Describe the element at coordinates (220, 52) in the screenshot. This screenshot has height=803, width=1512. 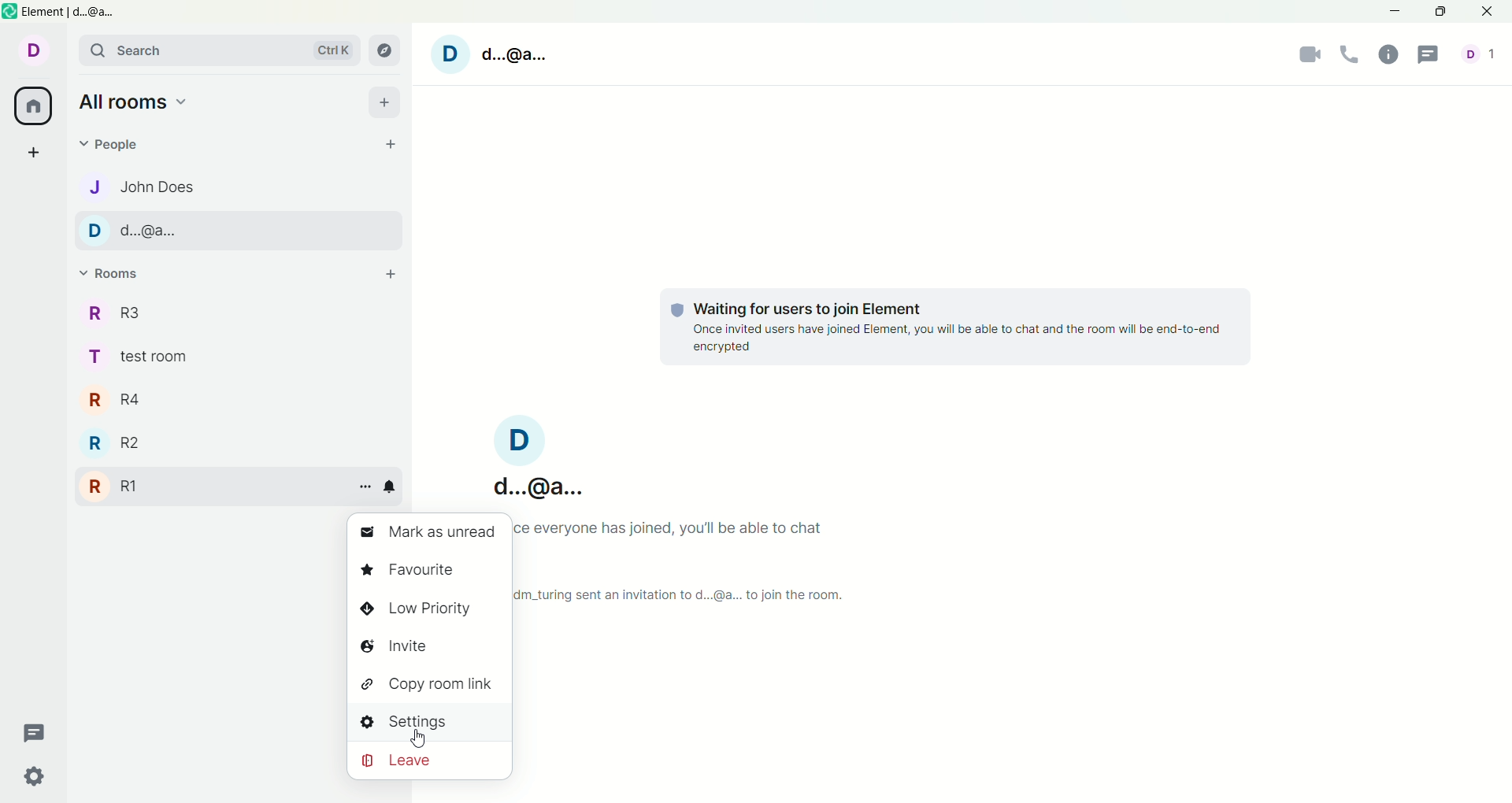
I see `search` at that location.